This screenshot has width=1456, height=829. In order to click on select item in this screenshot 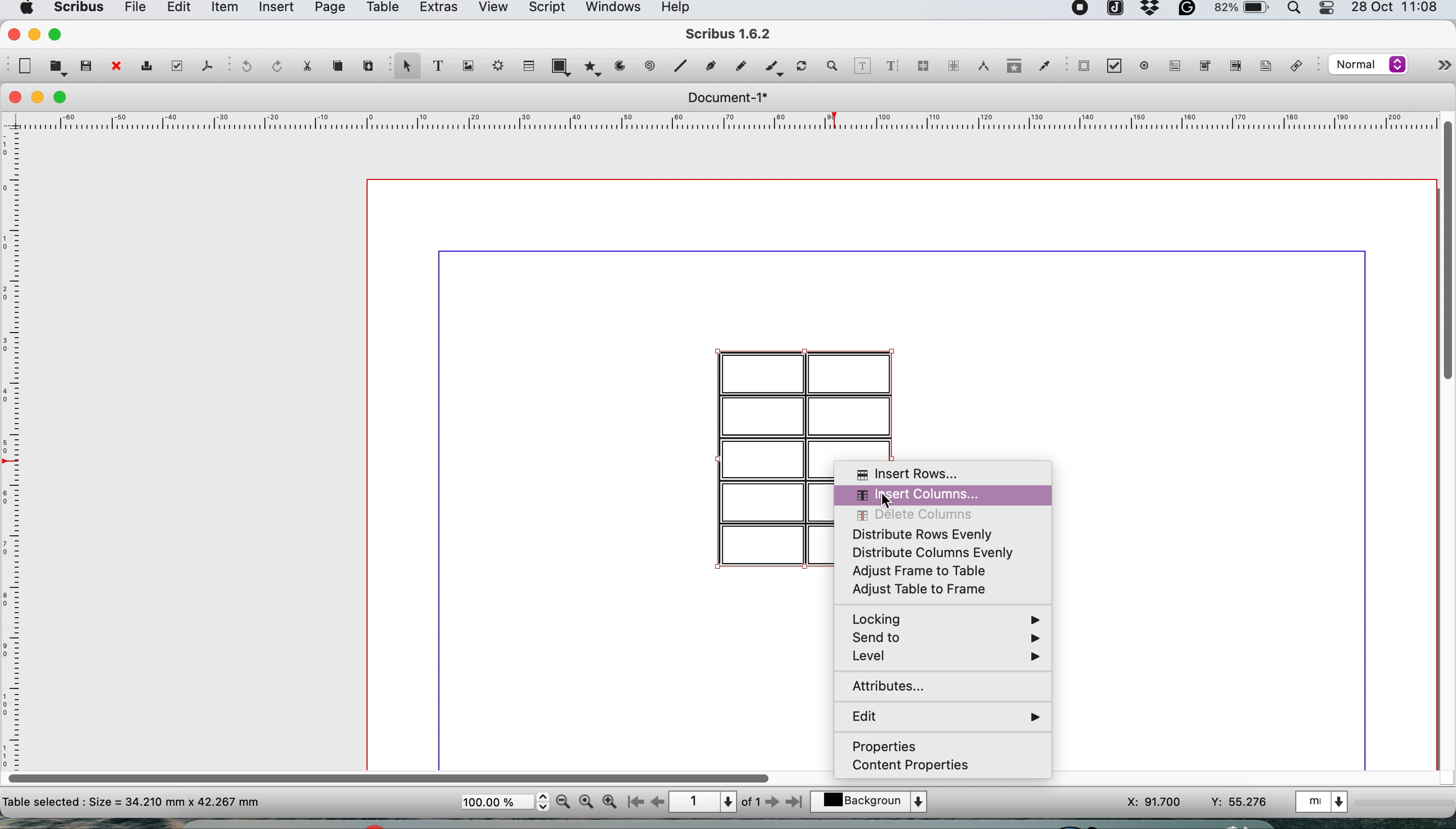, I will do `click(405, 67)`.